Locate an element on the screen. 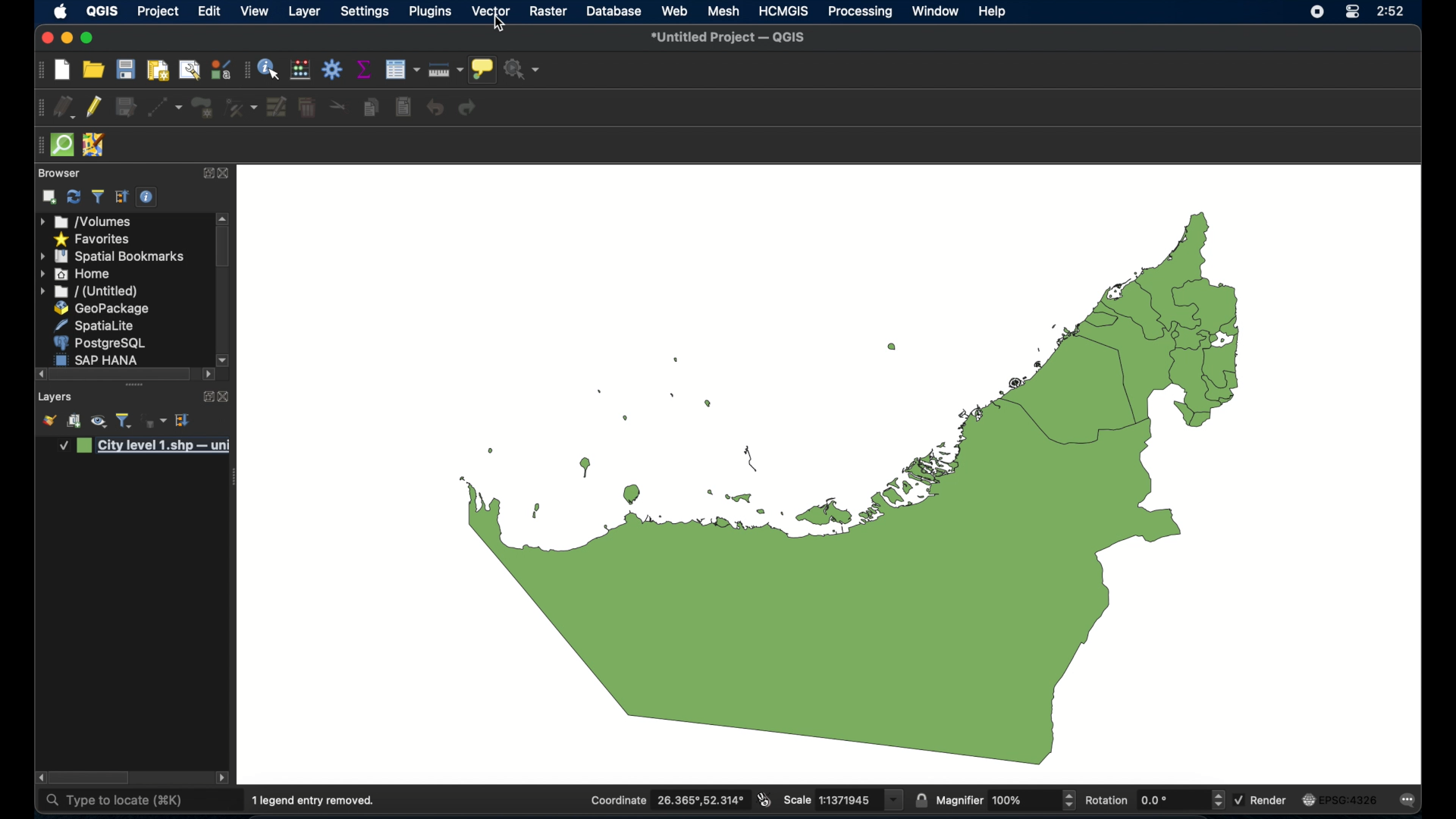  spatial lite is located at coordinates (96, 325).